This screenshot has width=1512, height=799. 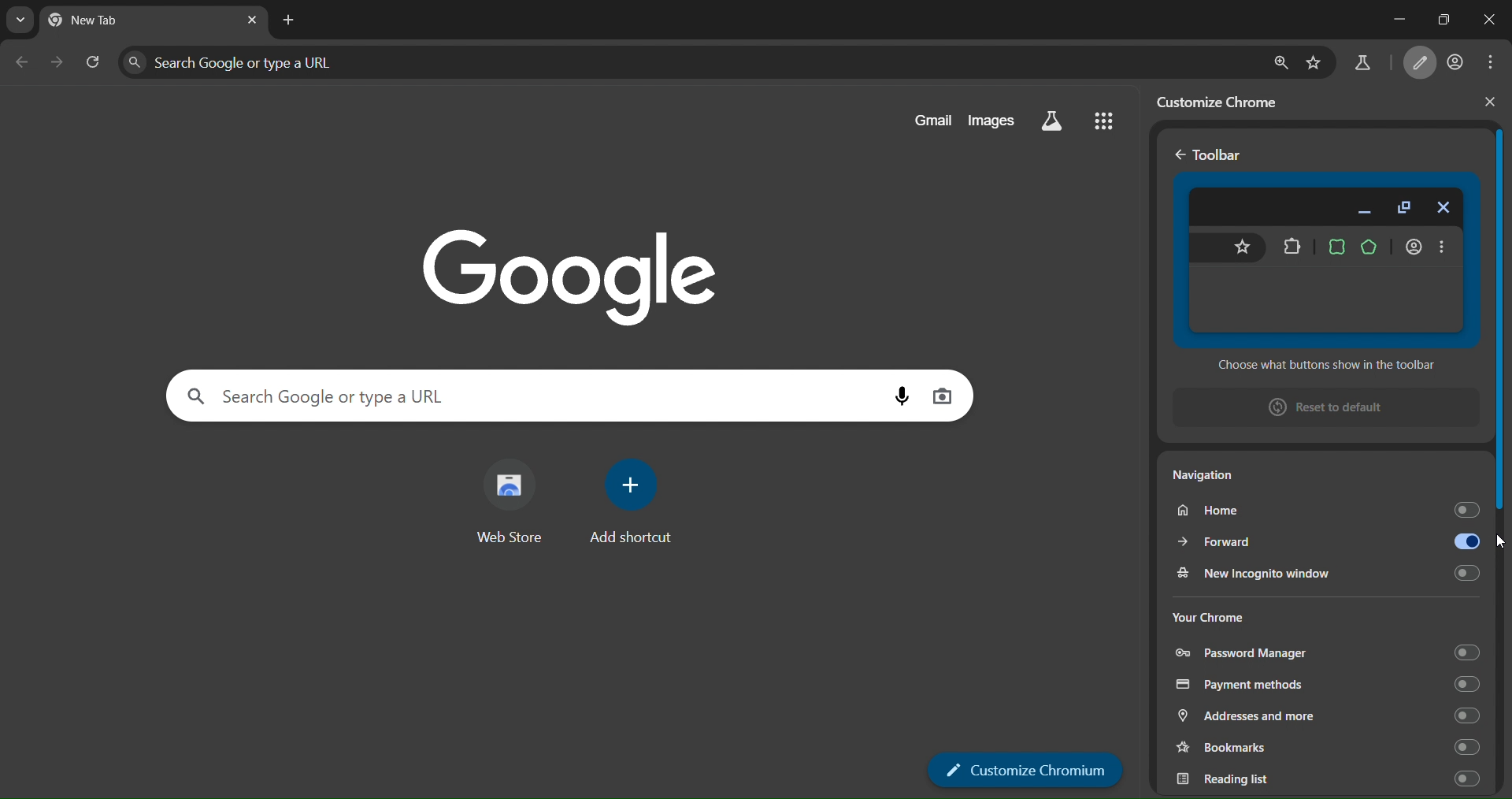 What do you see at coordinates (1421, 62) in the screenshot?
I see `customize chromium` at bounding box center [1421, 62].